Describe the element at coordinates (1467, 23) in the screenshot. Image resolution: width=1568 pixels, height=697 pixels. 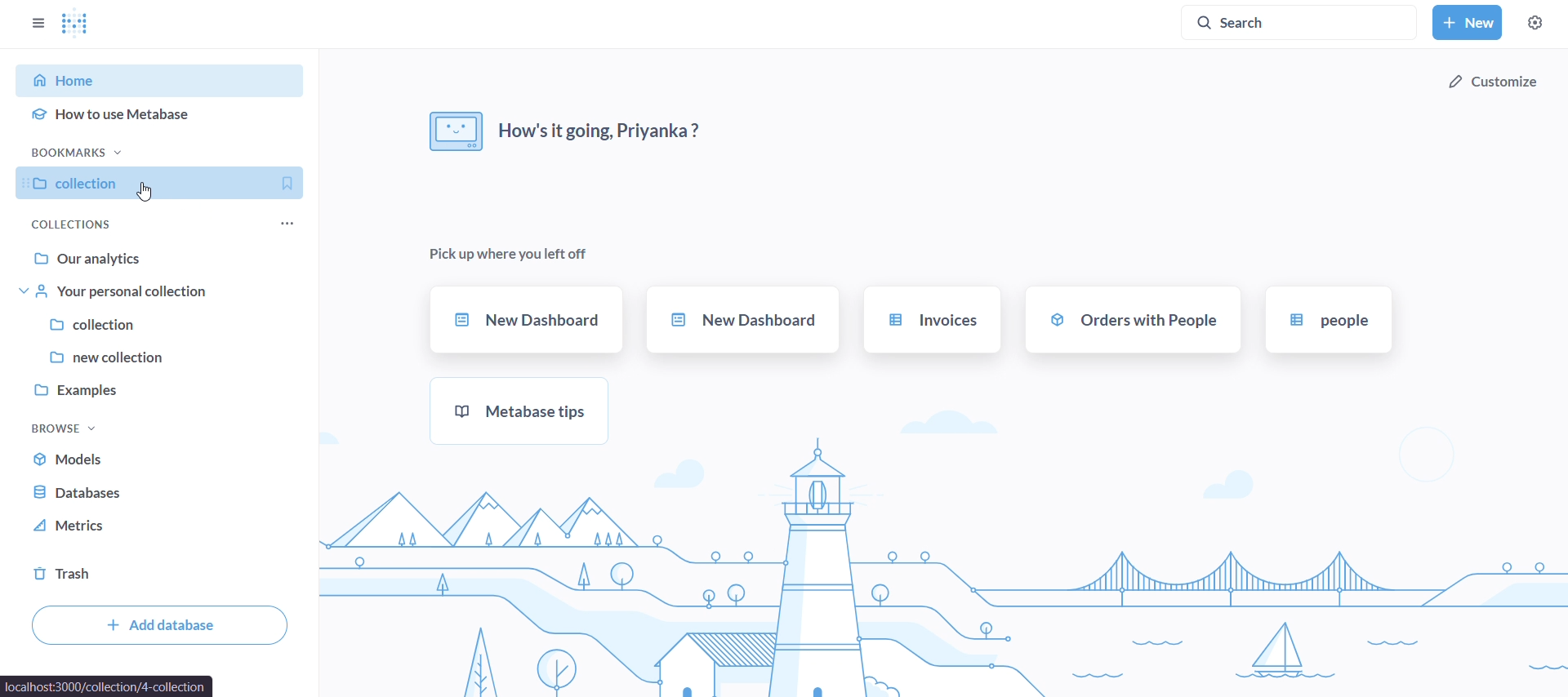
I see `new ` at that location.